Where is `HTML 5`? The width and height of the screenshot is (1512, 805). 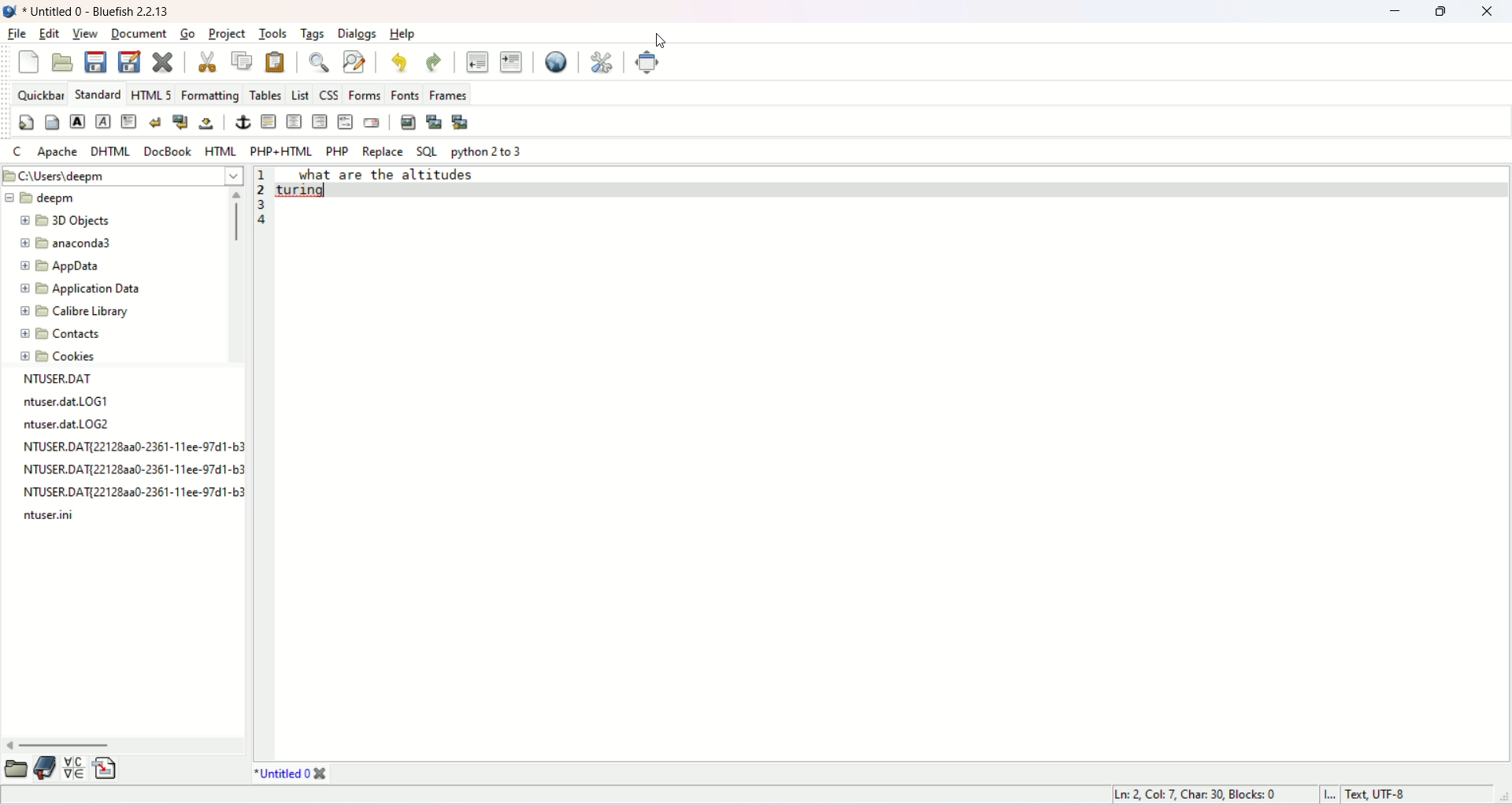 HTML 5 is located at coordinates (151, 93).